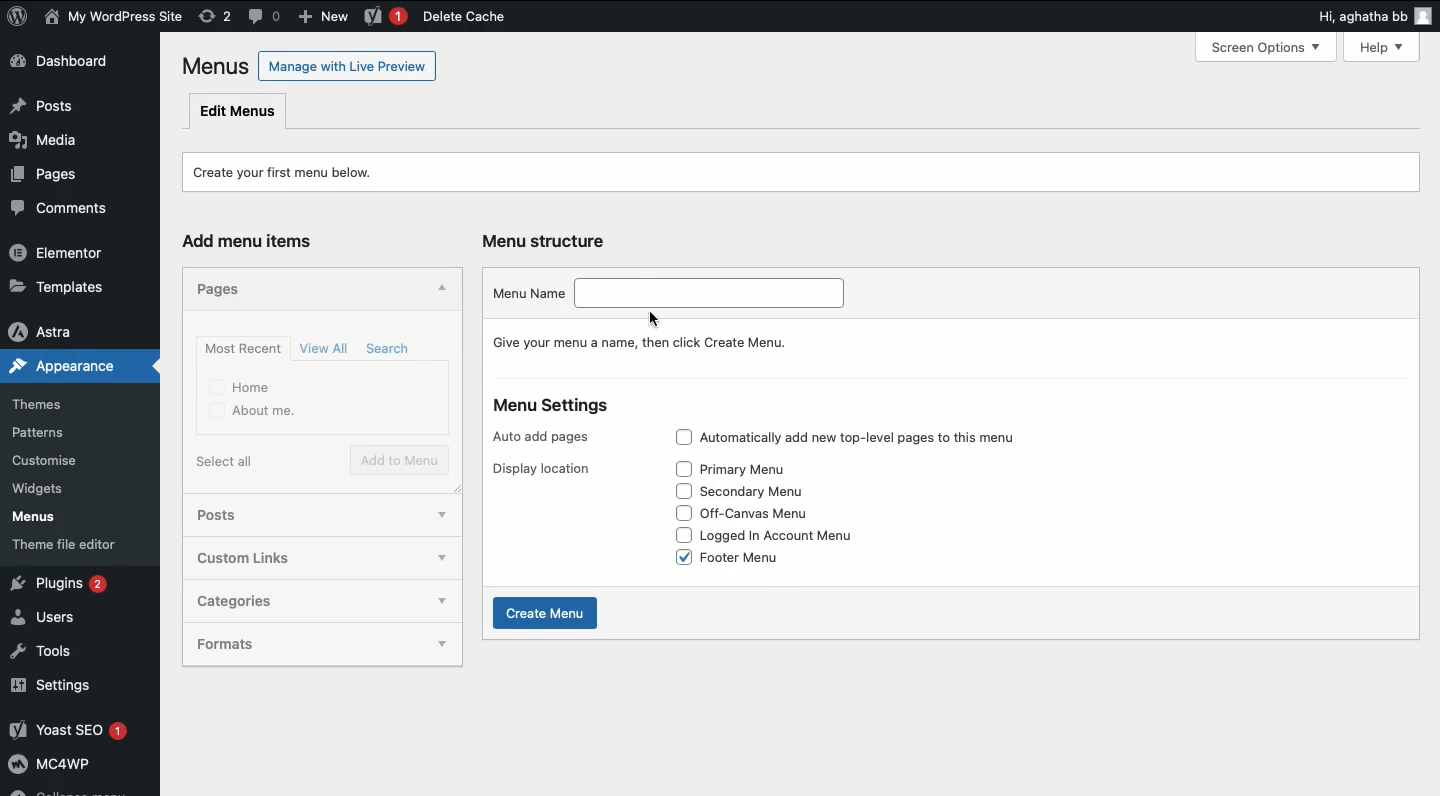 Image resolution: width=1440 pixels, height=796 pixels. What do you see at coordinates (548, 239) in the screenshot?
I see `Menu structure` at bounding box center [548, 239].